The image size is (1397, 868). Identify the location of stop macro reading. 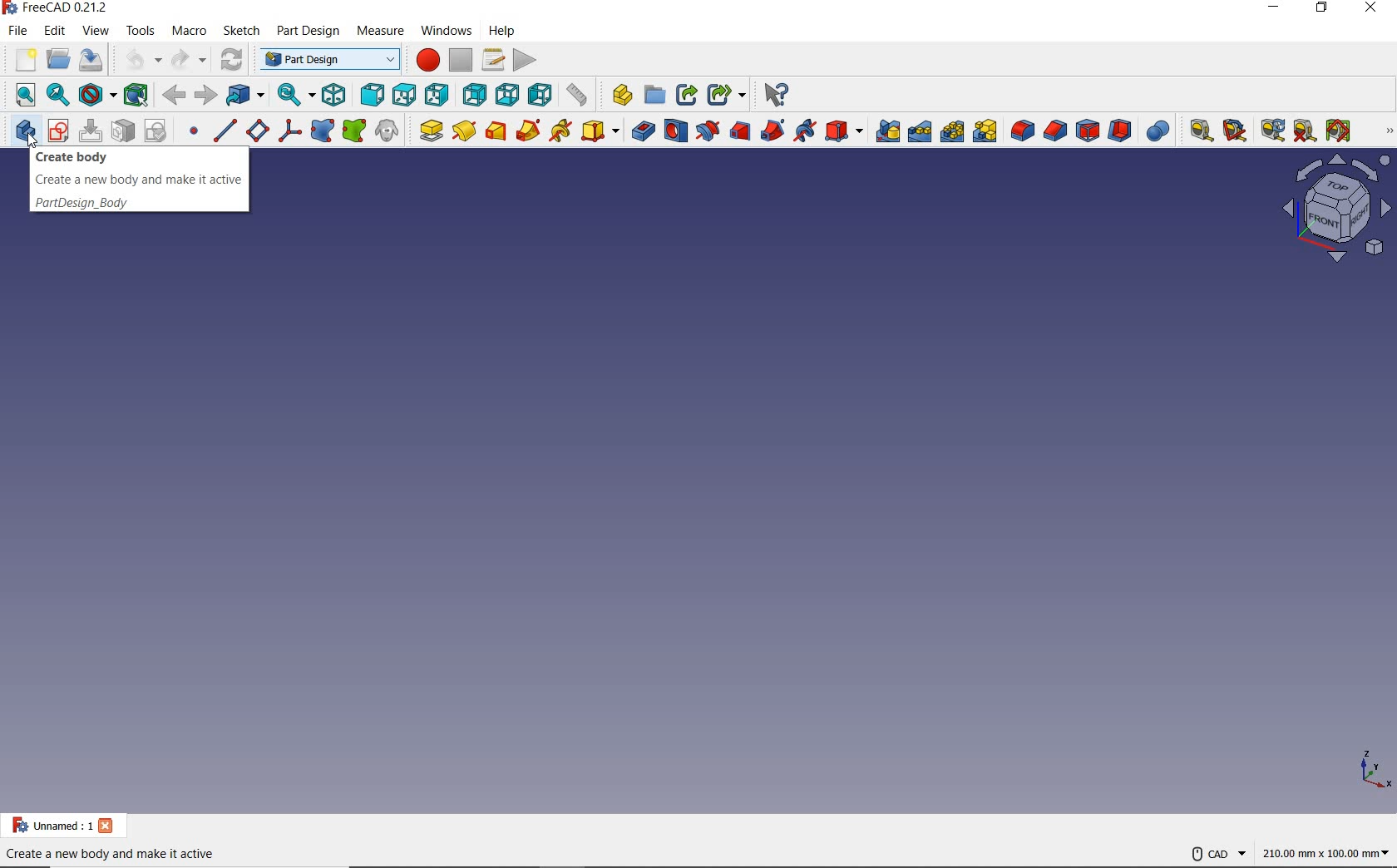
(462, 60).